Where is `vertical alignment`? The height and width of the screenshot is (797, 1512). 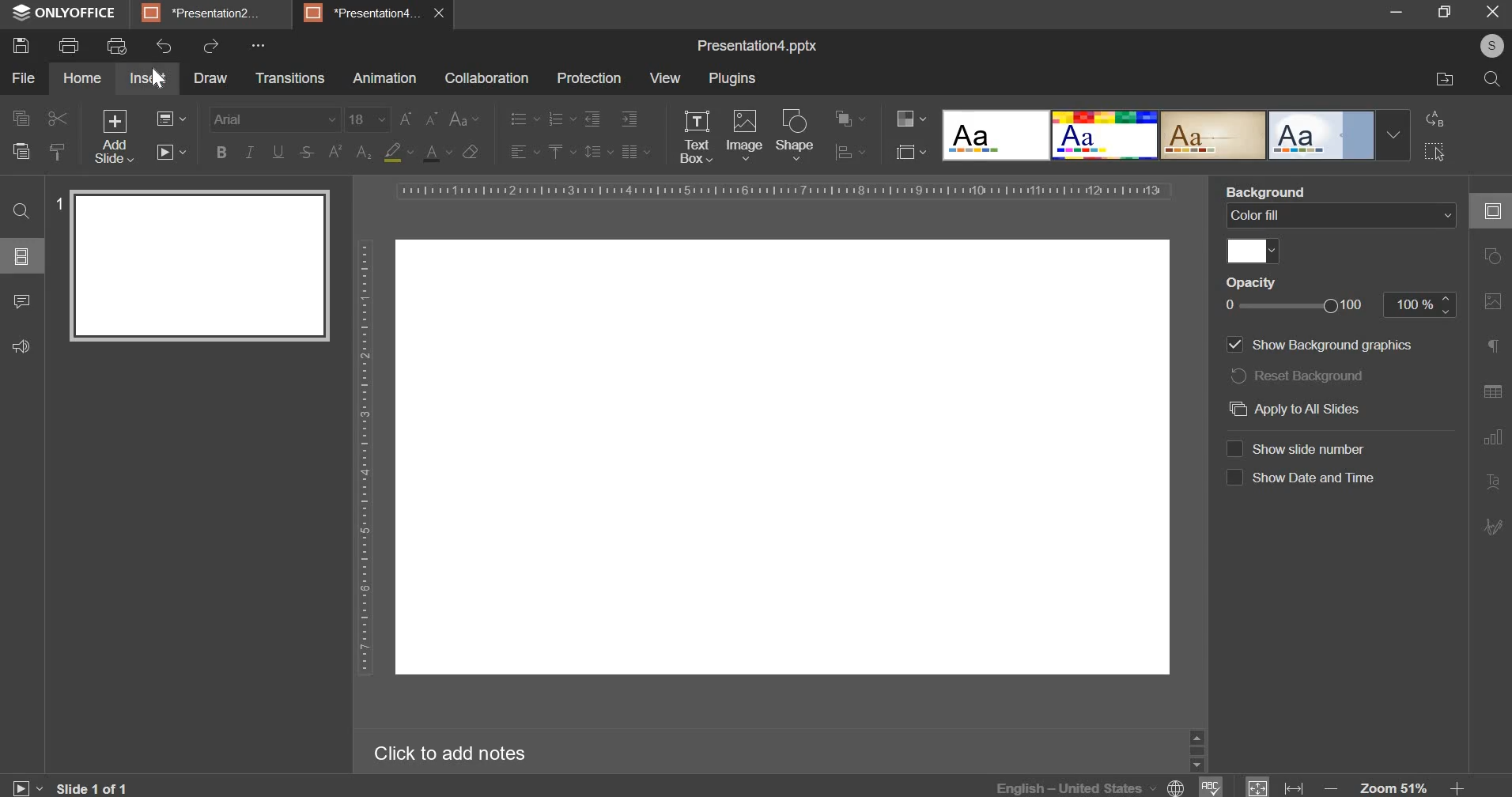
vertical alignment is located at coordinates (561, 150).